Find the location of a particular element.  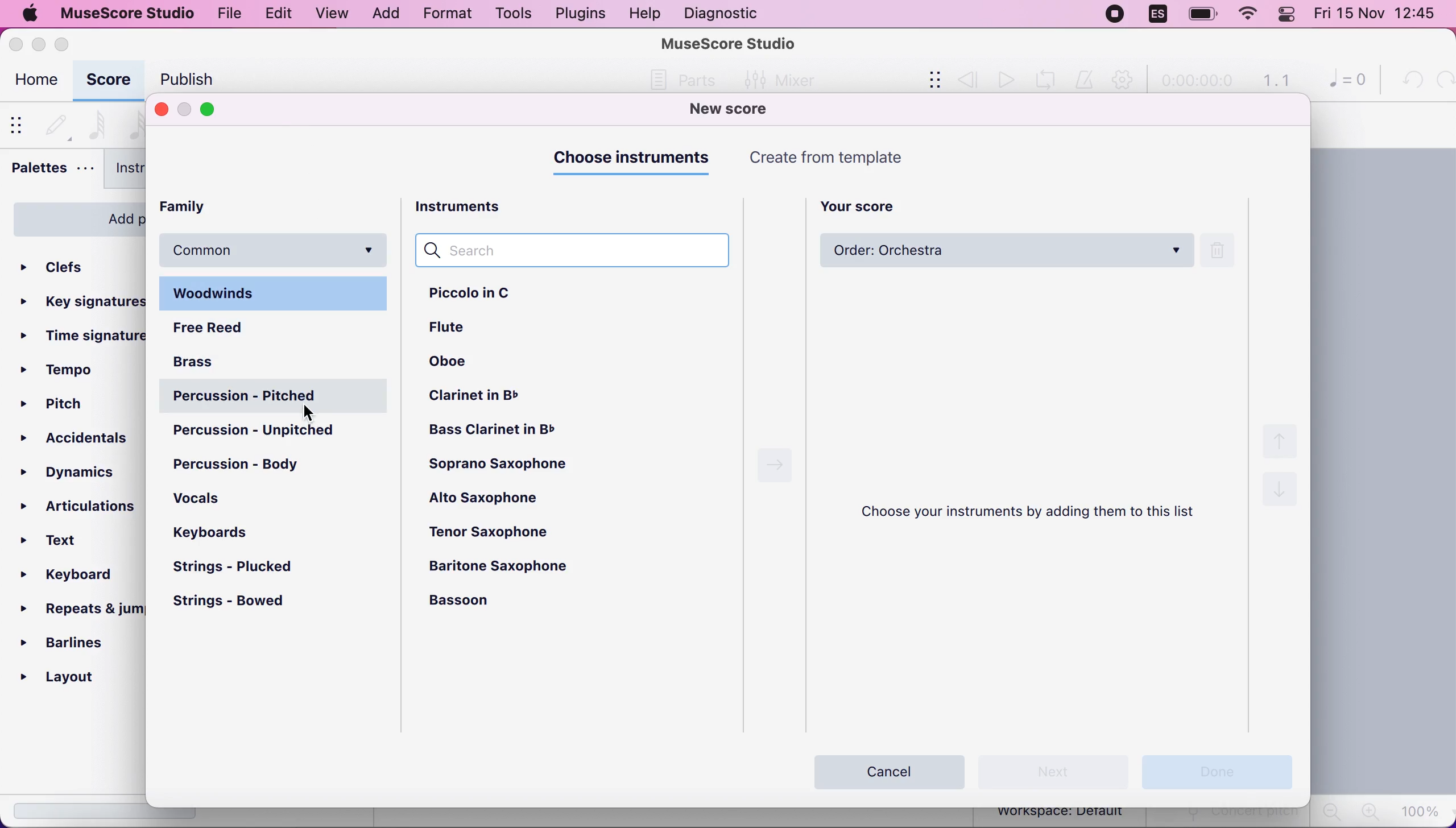

done is located at coordinates (1215, 769).